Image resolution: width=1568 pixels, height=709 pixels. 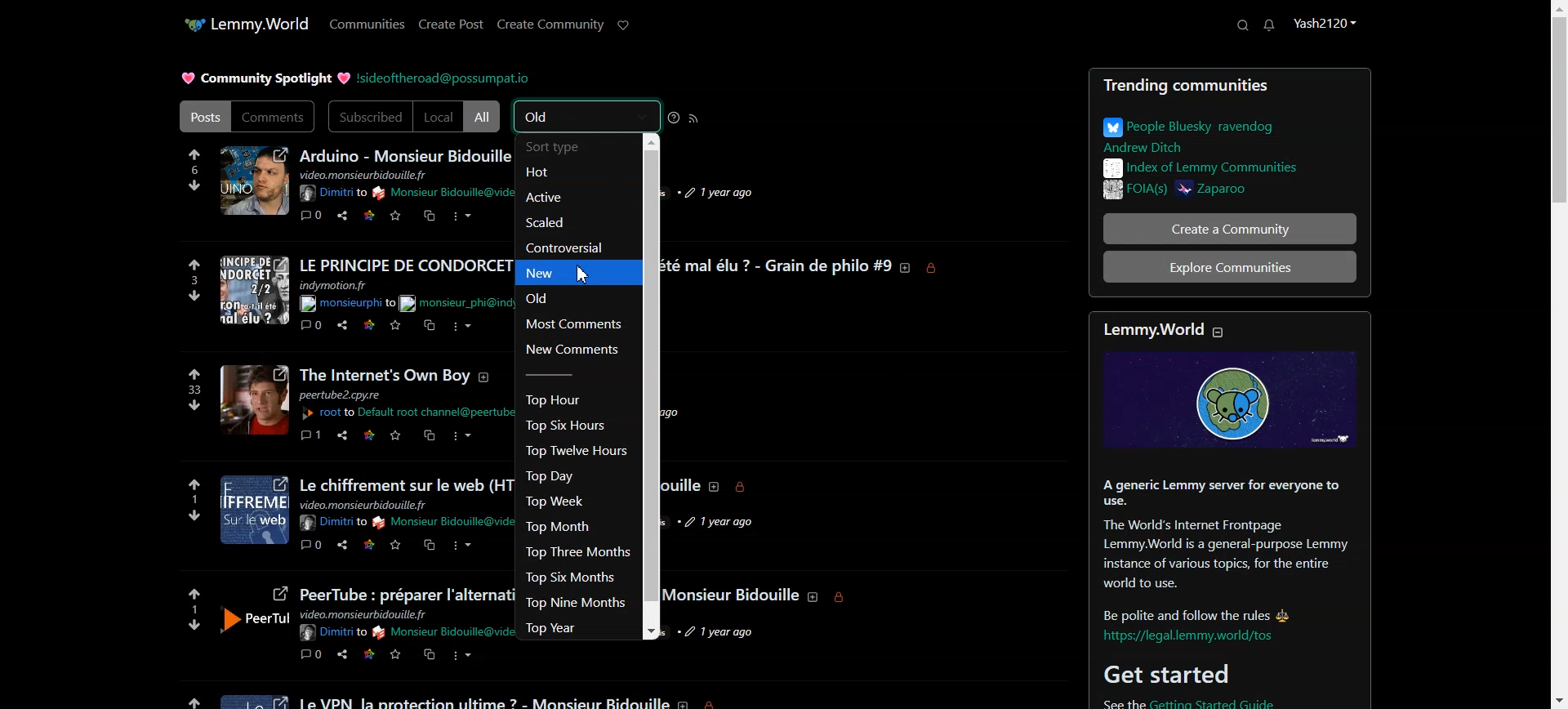 I want to click on , so click(x=427, y=435).